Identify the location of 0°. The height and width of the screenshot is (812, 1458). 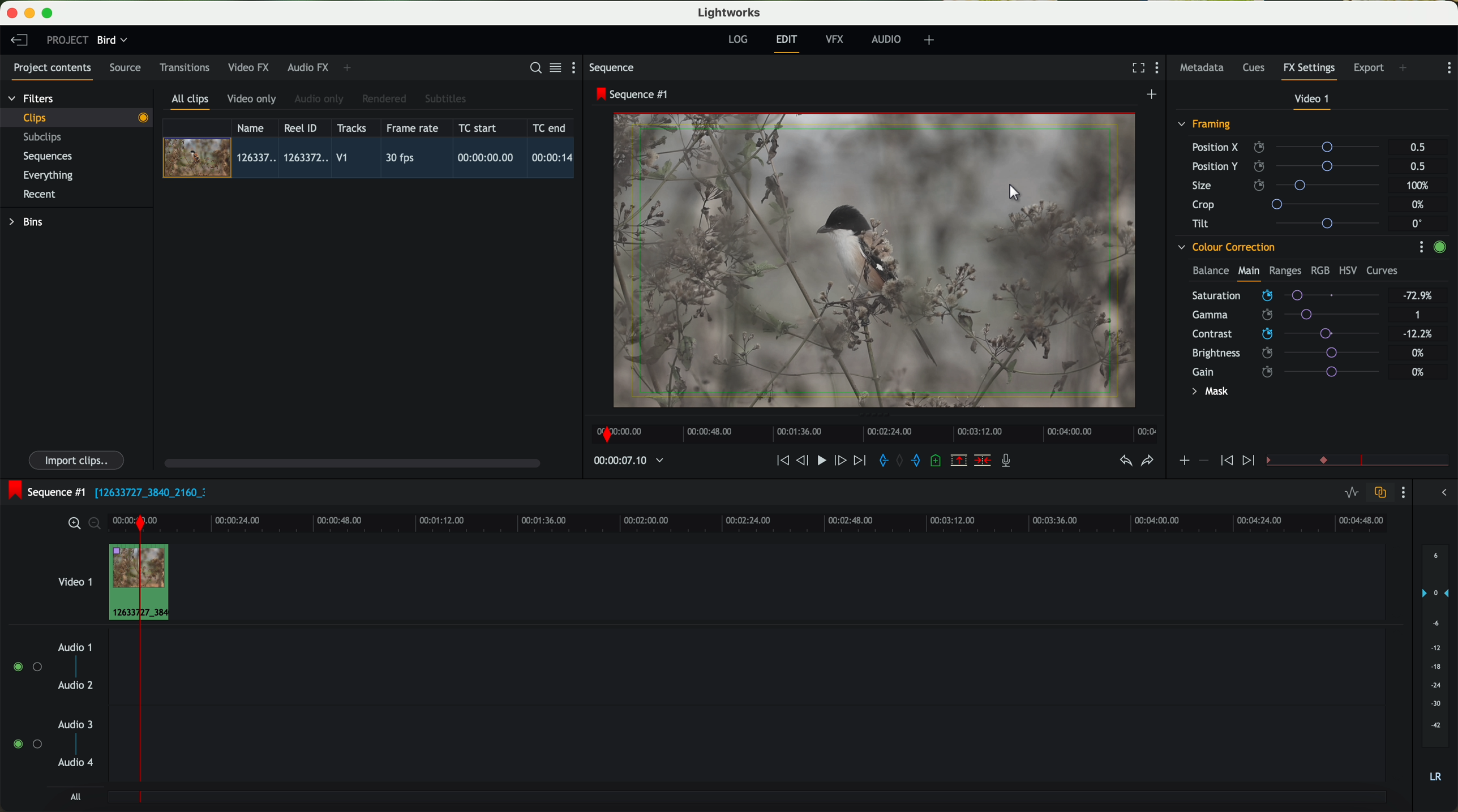
(1418, 223).